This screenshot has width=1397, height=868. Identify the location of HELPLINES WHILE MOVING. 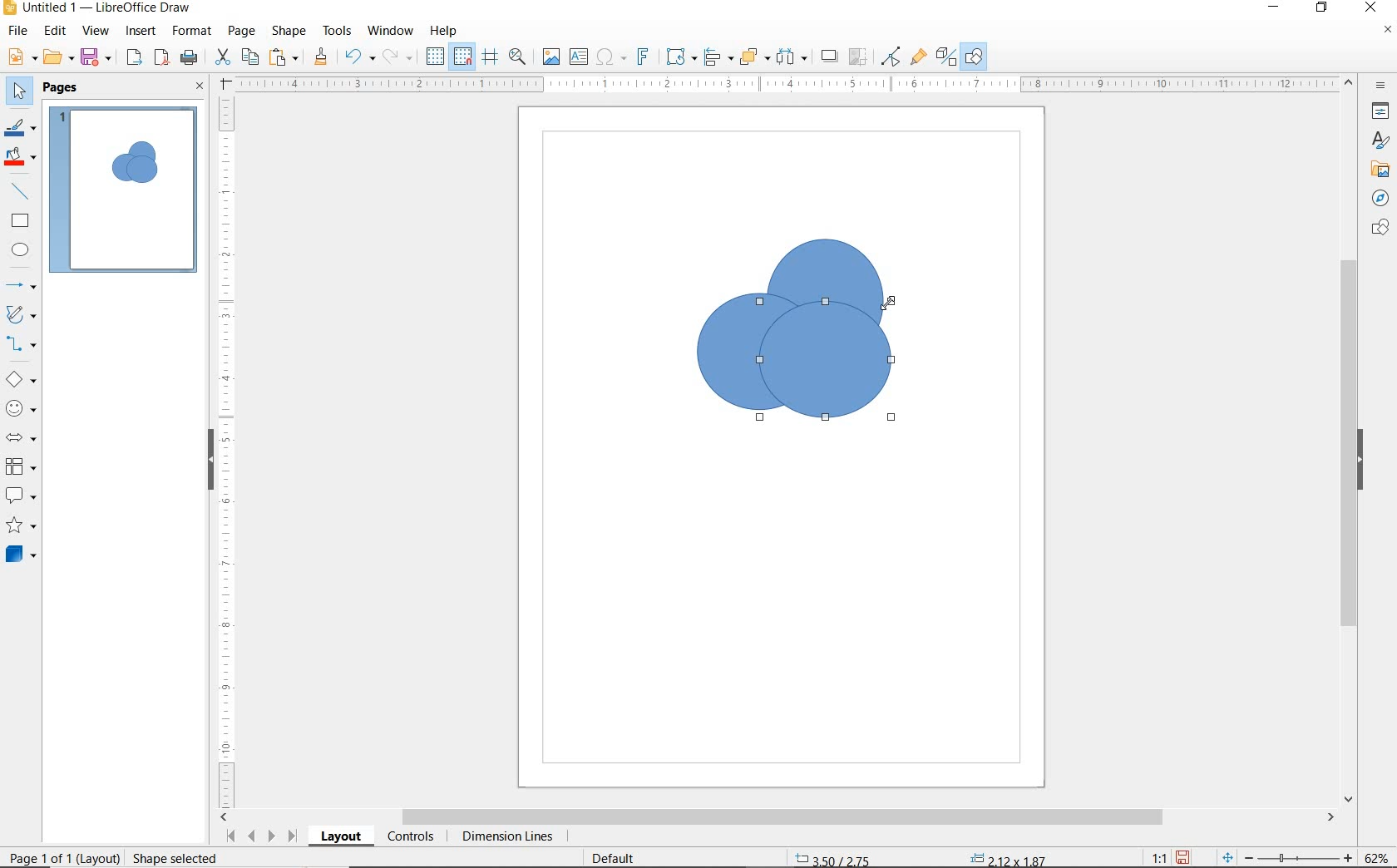
(490, 57).